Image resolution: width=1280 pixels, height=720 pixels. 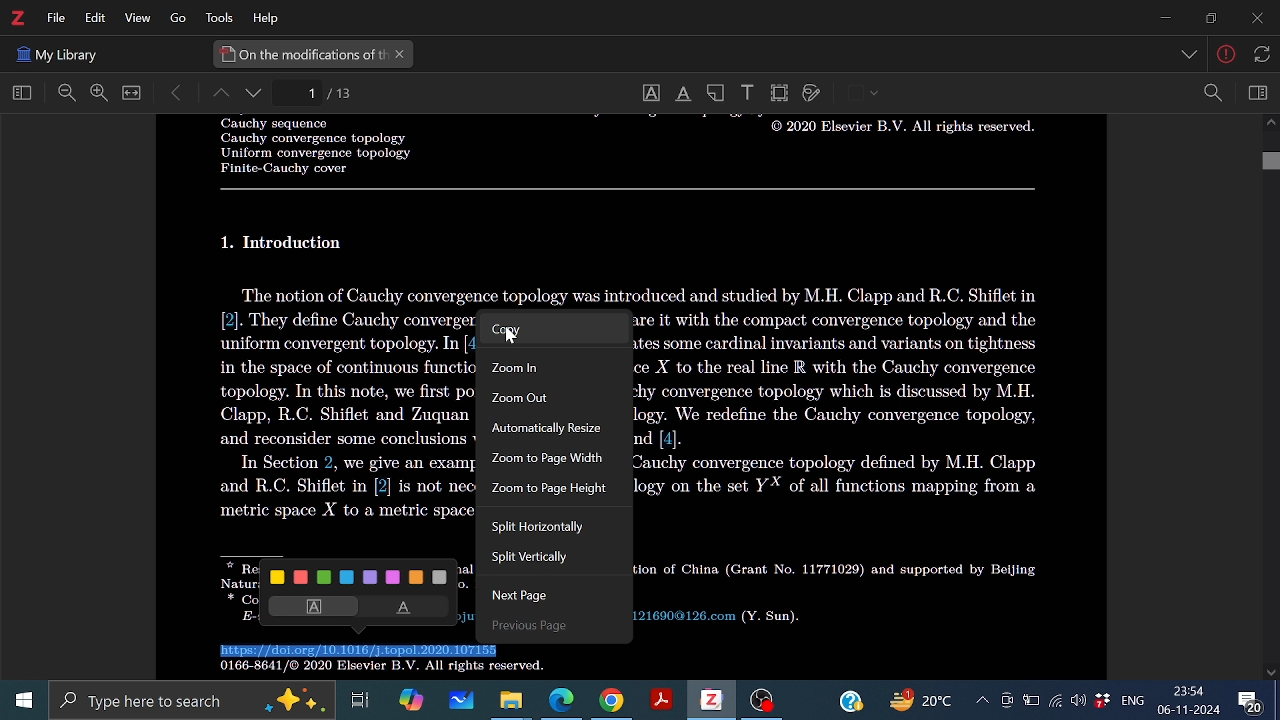 I want to click on Selected part of the text, so click(x=362, y=651).